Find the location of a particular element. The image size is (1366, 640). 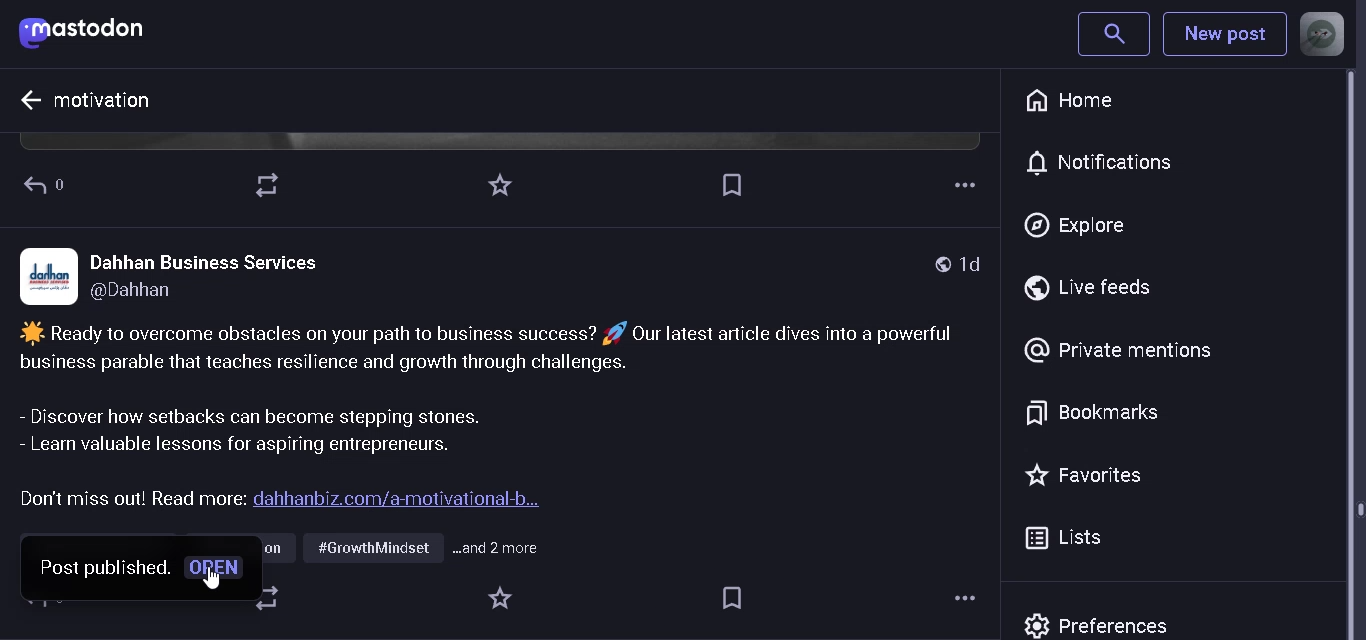

favorites is located at coordinates (1089, 475).